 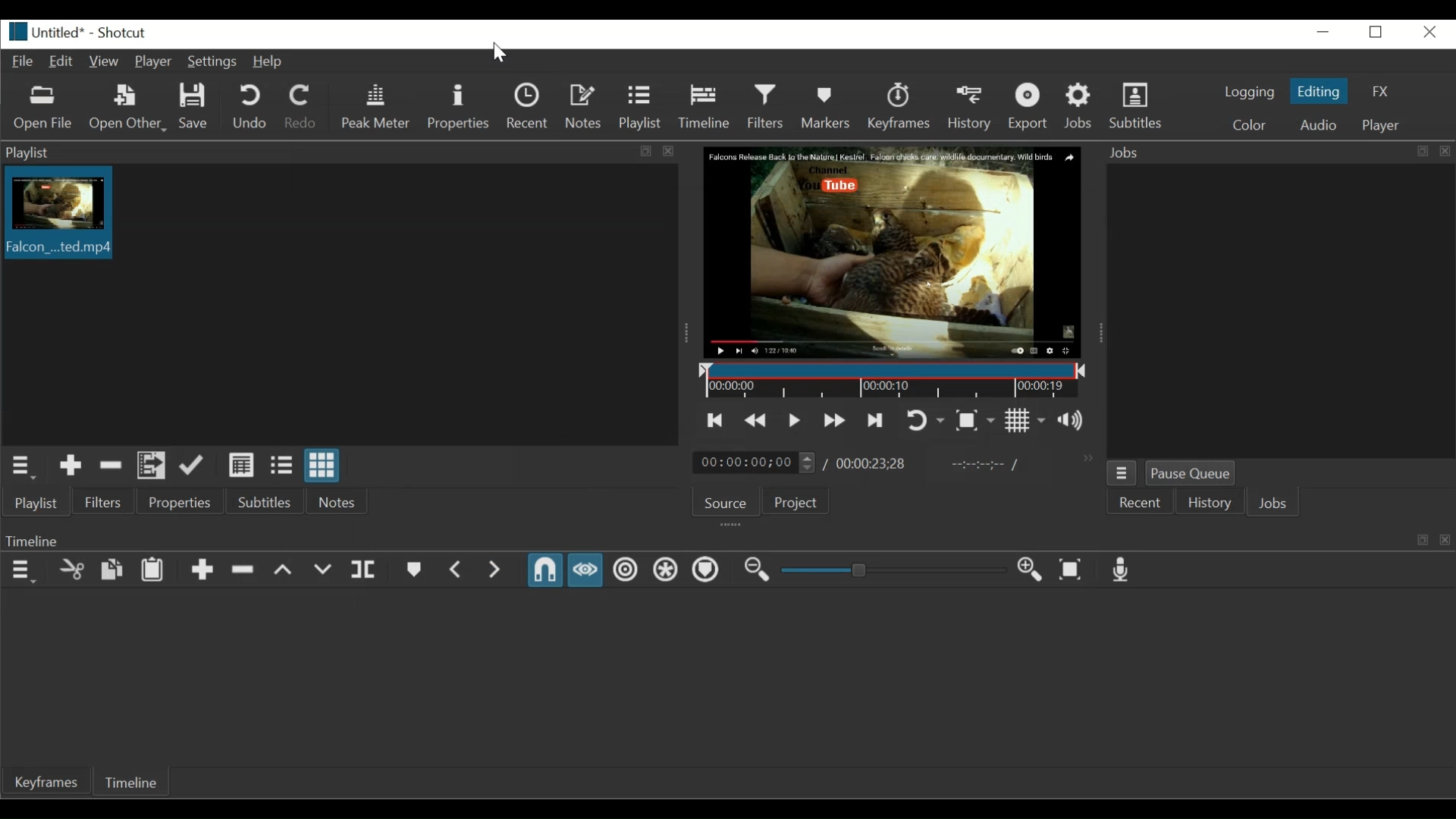 I want to click on Undo, so click(x=248, y=106).